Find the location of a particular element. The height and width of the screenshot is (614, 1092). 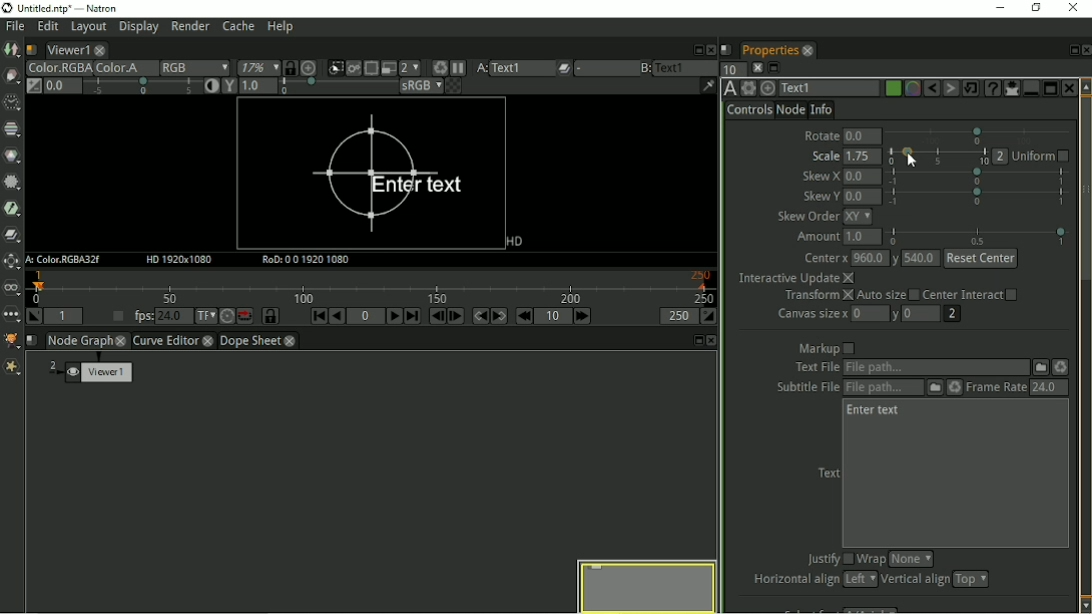

Draw is located at coordinates (11, 76).